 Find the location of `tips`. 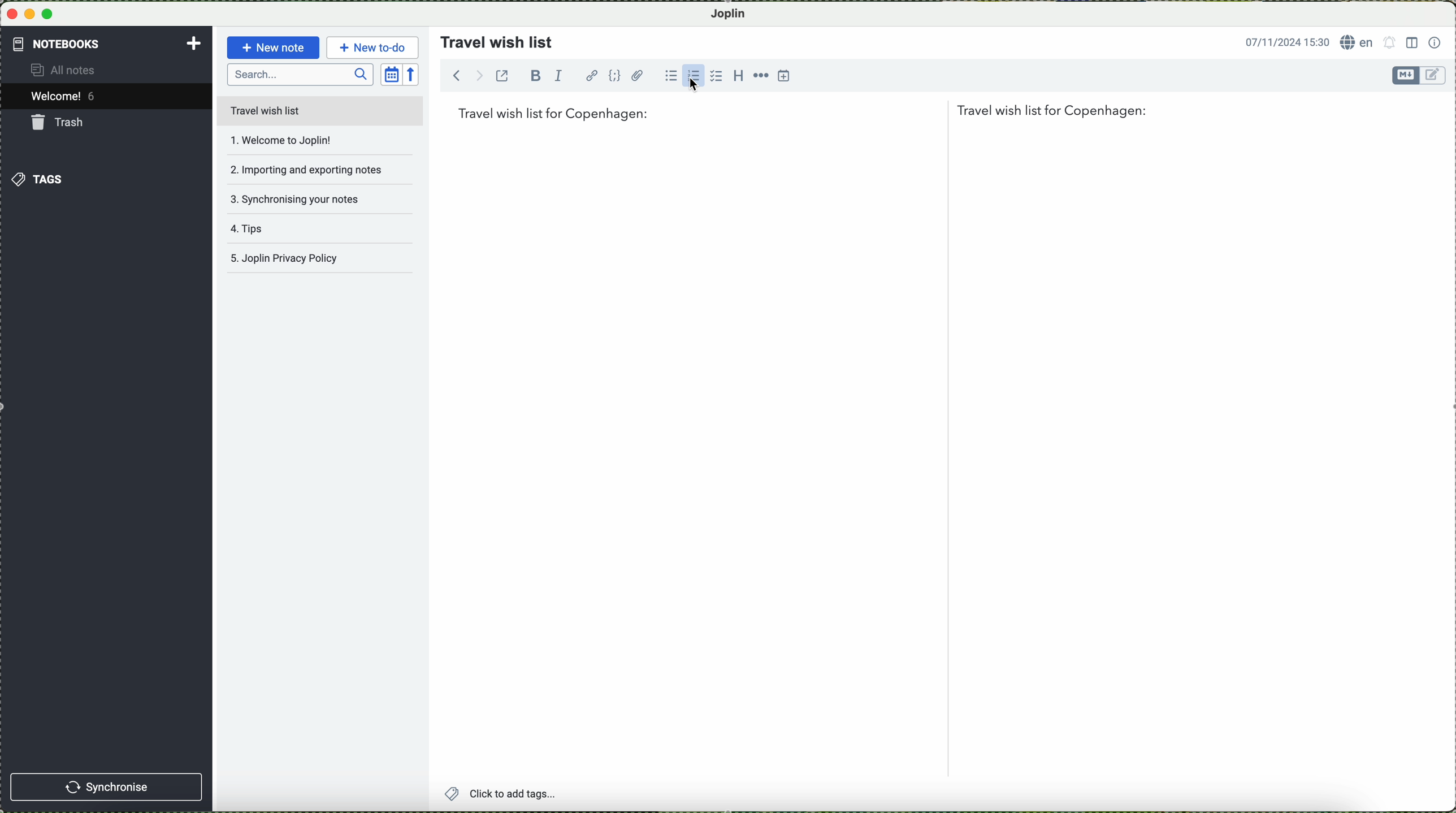

tips is located at coordinates (298, 233).